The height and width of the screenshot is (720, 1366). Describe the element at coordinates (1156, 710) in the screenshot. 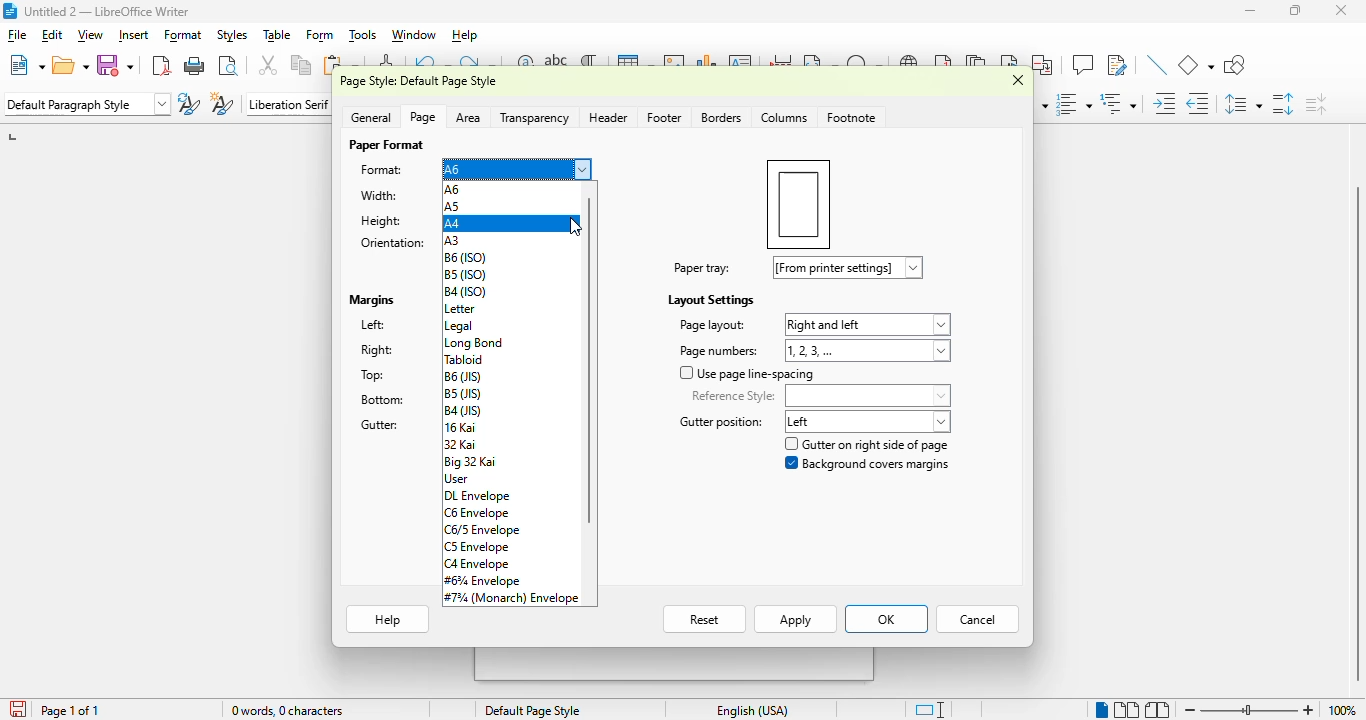

I see `book view` at that location.